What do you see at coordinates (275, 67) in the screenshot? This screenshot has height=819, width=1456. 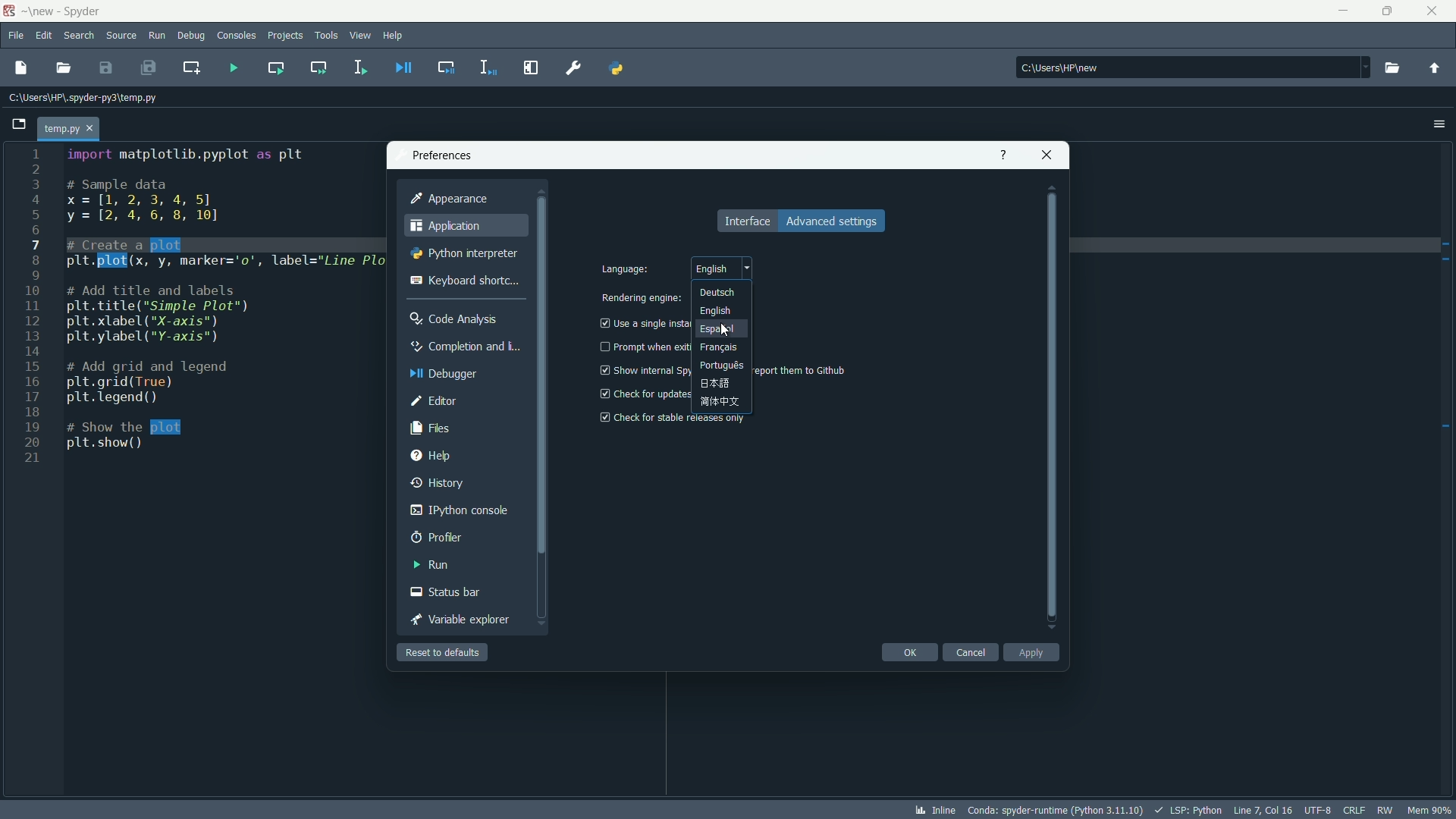 I see `run current cell` at bounding box center [275, 67].